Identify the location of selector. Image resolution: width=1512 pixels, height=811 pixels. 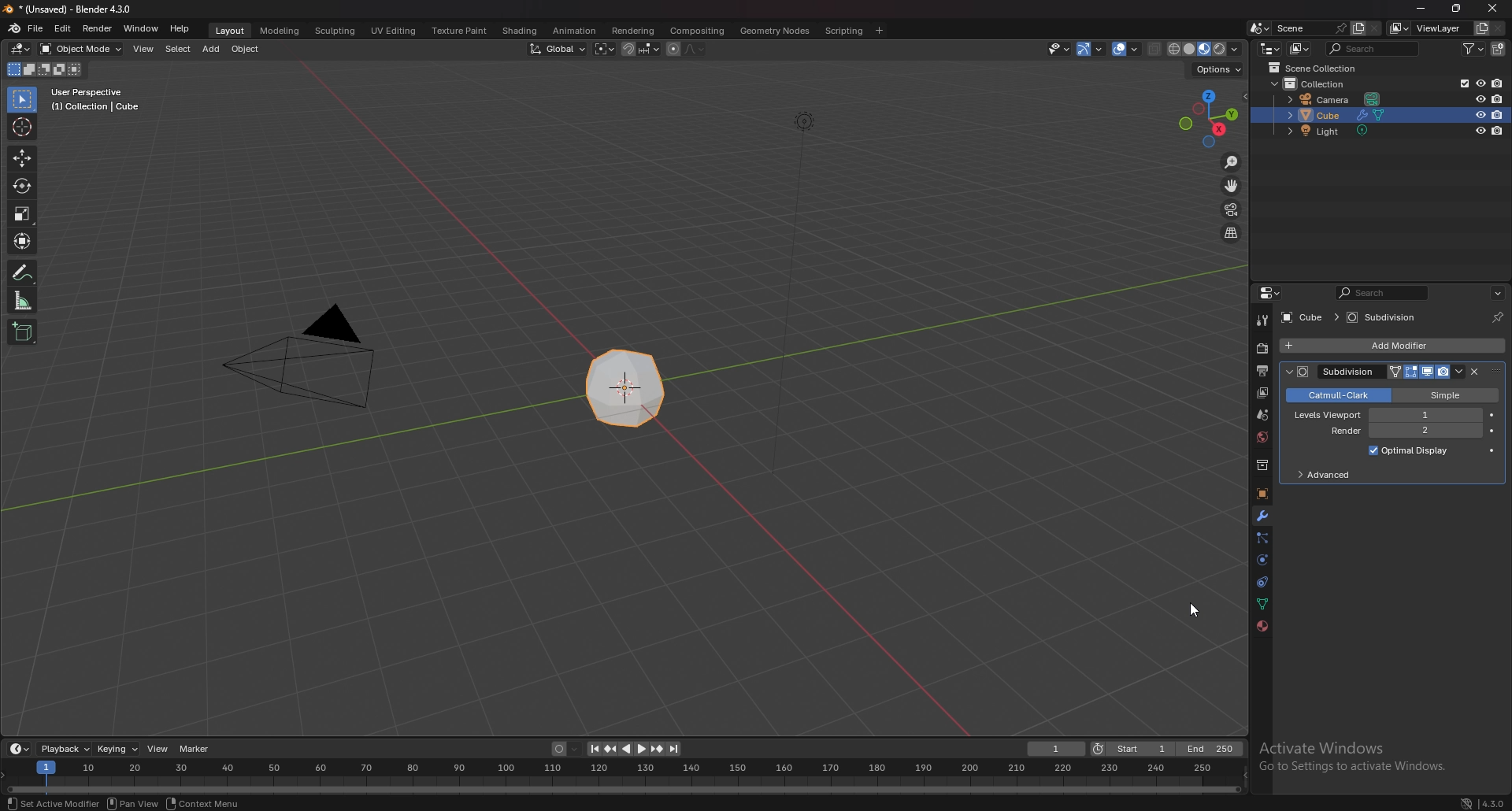
(23, 100).